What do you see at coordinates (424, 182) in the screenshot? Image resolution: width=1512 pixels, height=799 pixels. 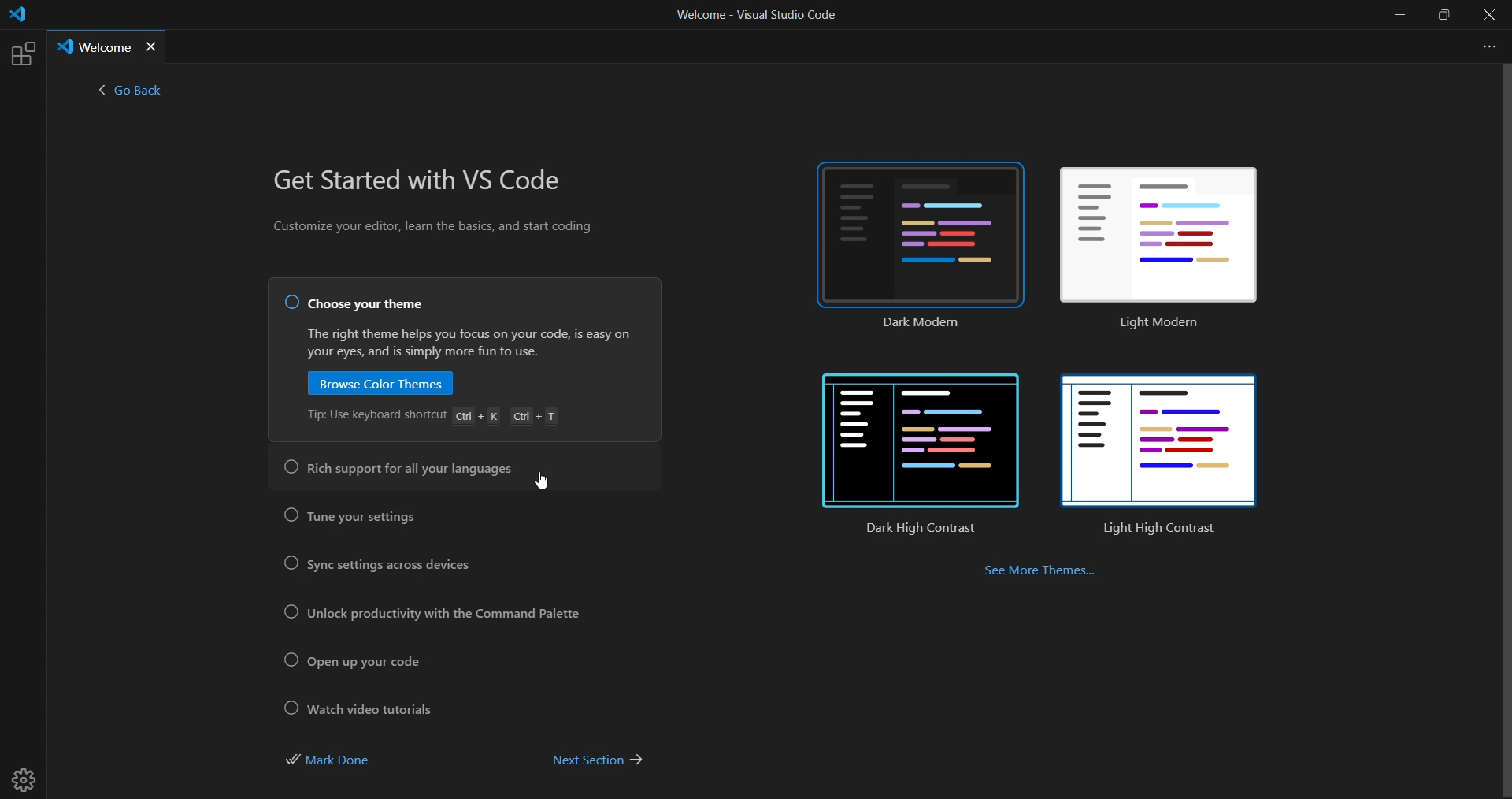 I see `get started with VS Code` at bounding box center [424, 182].